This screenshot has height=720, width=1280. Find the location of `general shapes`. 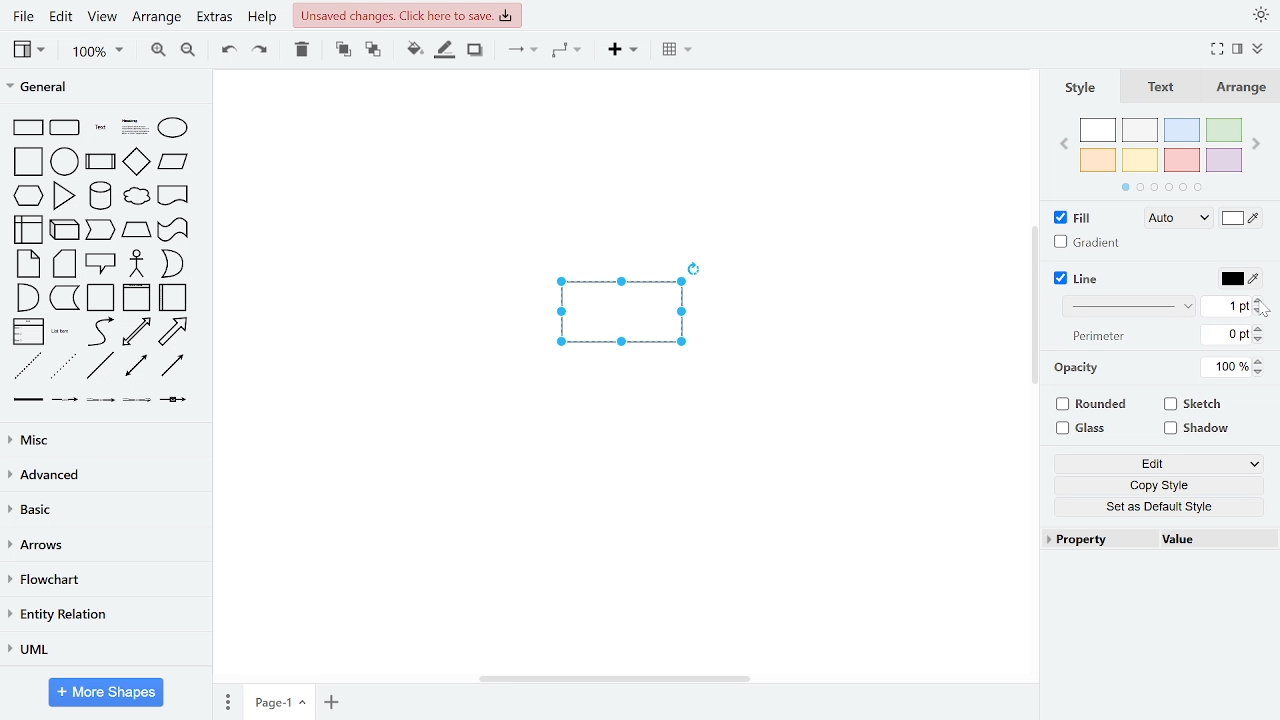

general shapes is located at coordinates (135, 331).